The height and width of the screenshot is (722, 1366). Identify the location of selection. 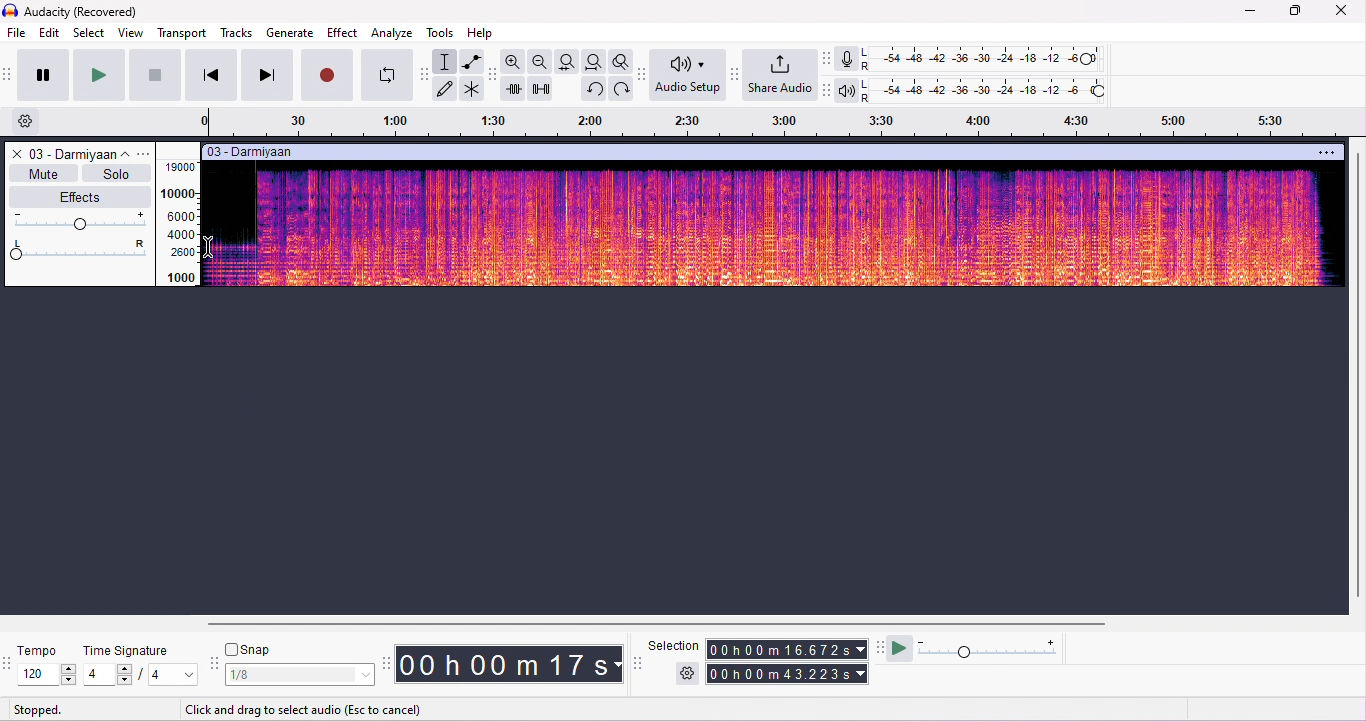
(447, 62).